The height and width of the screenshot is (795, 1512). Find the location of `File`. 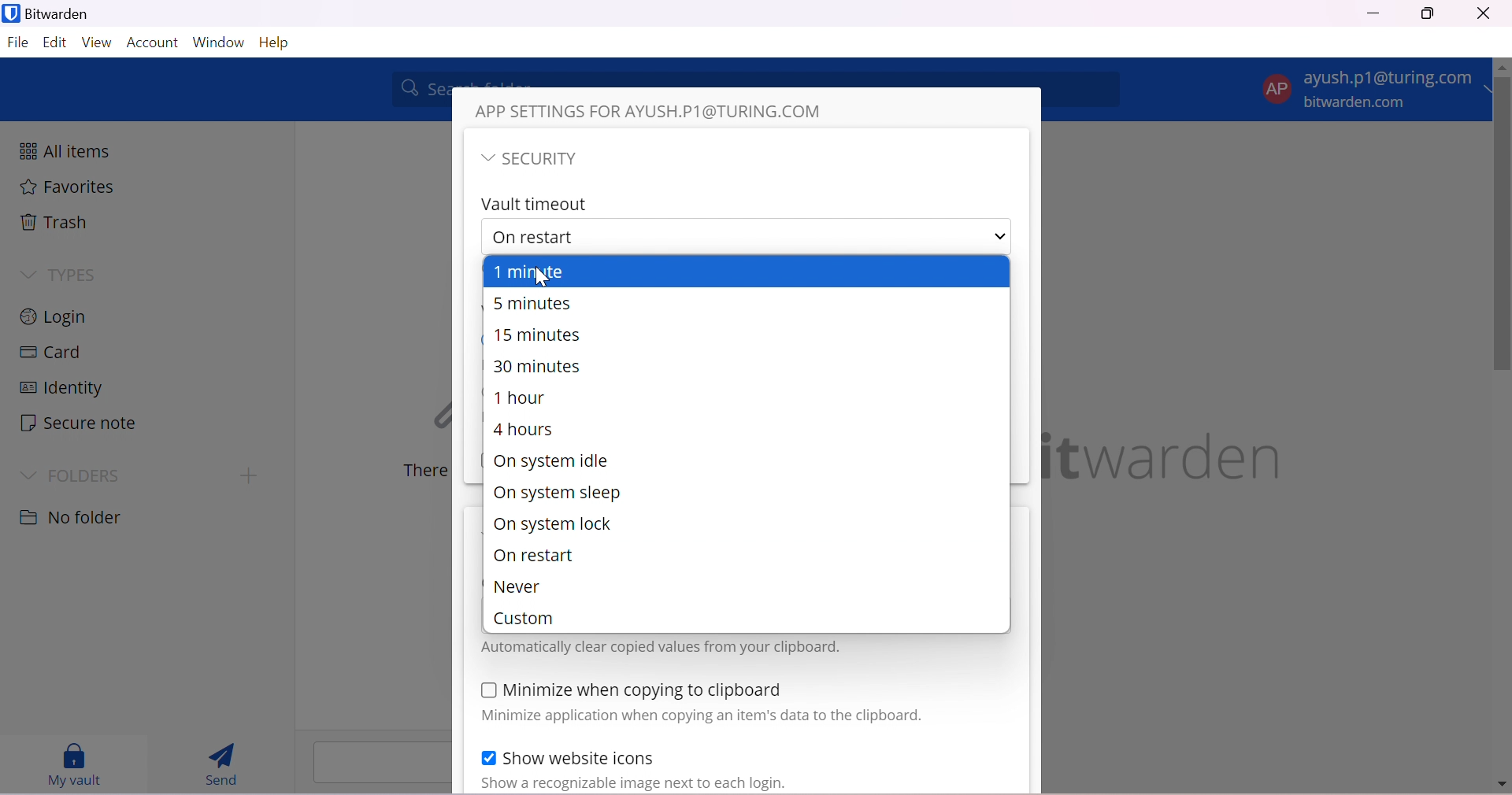

File is located at coordinates (17, 45).